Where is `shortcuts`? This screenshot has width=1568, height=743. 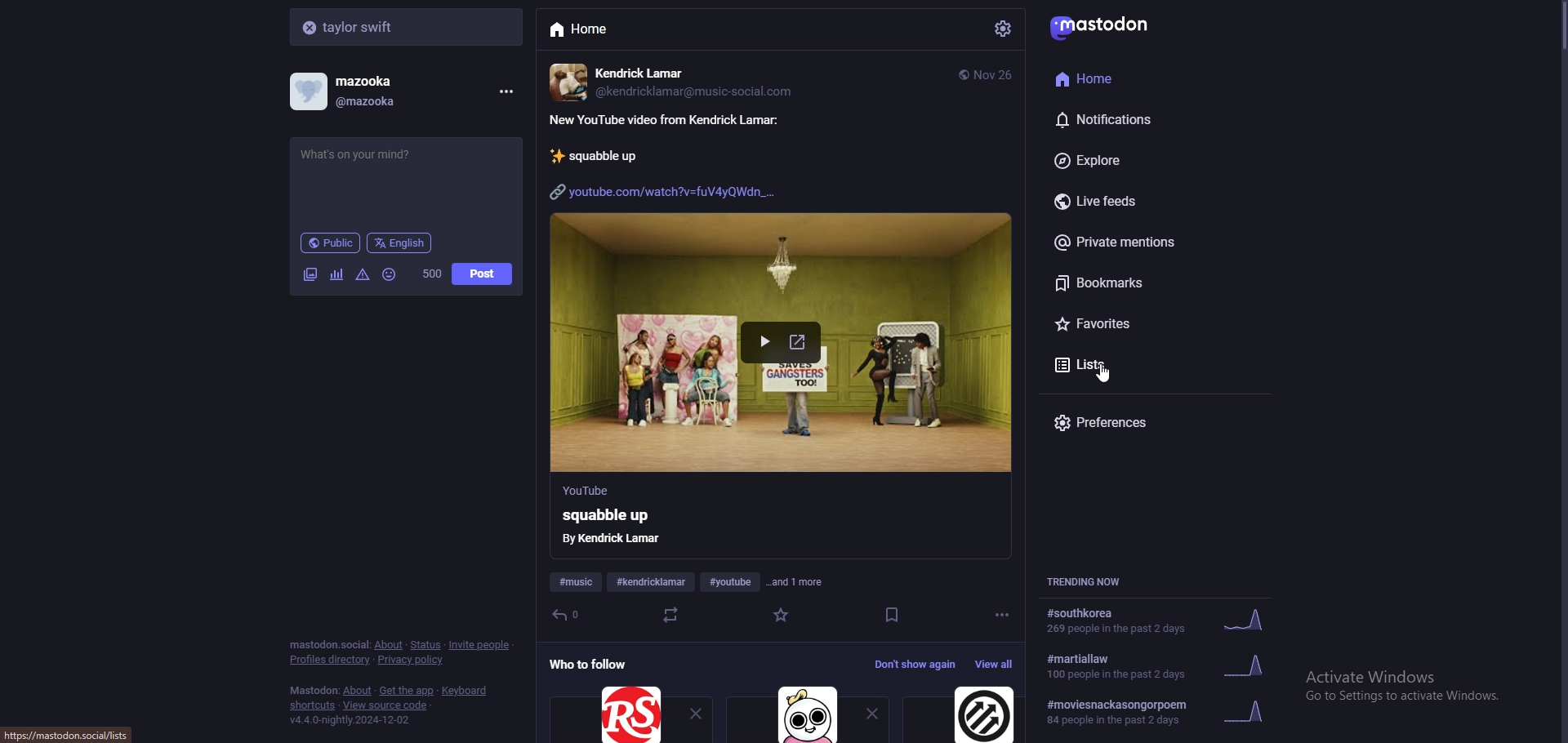
shortcuts is located at coordinates (313, 707).